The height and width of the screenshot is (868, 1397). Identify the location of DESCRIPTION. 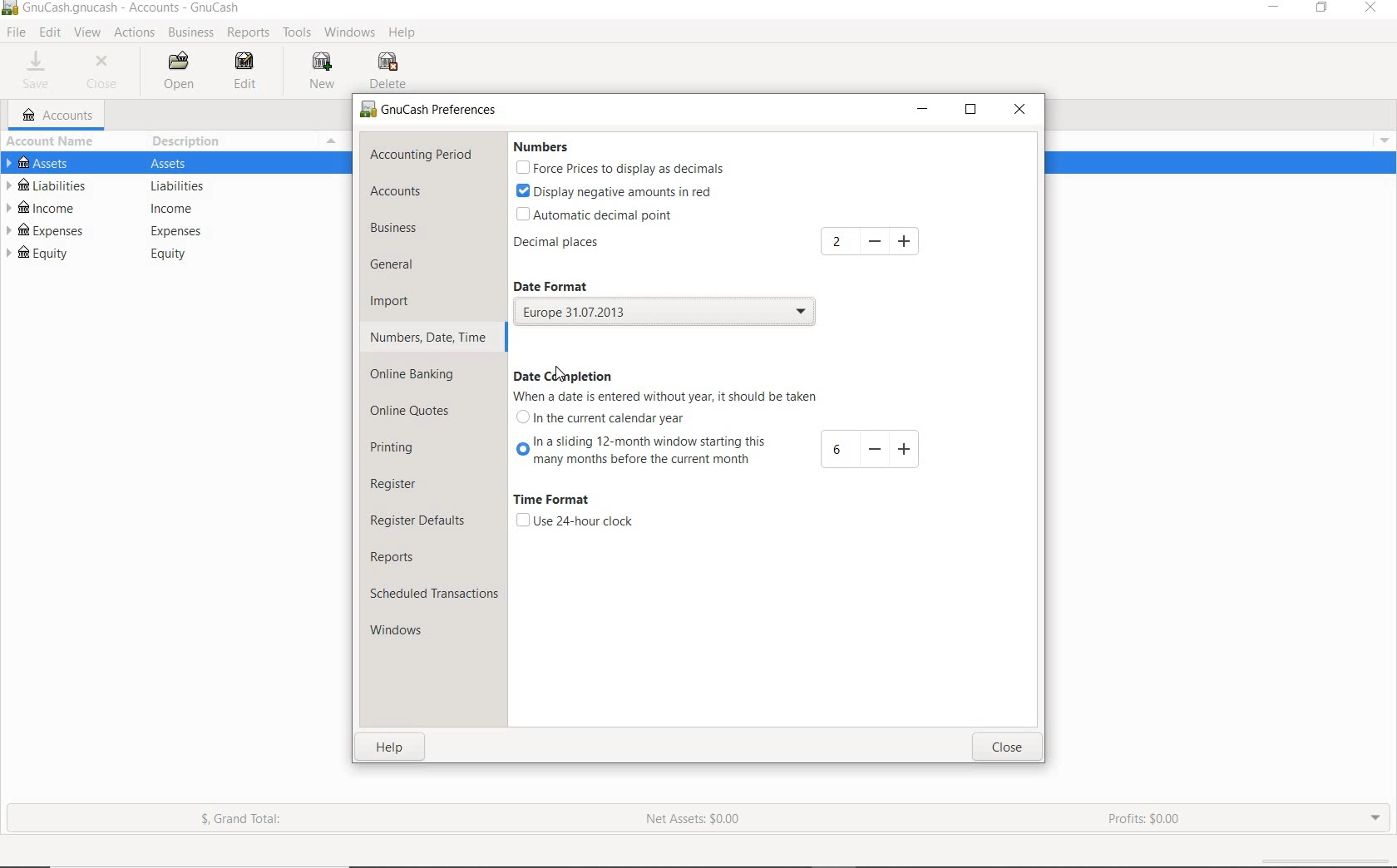
(189, 141).